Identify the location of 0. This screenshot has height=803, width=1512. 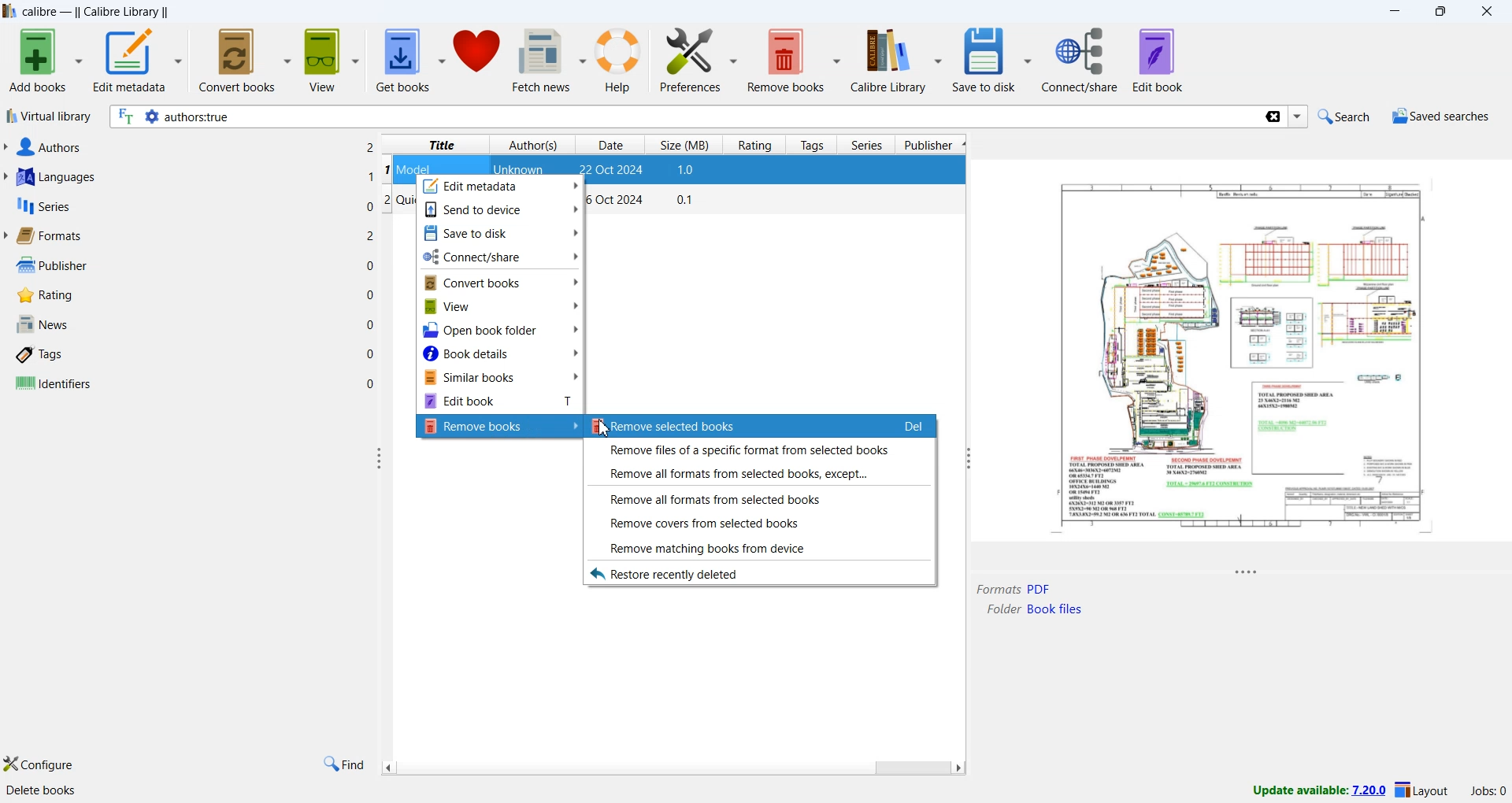
(372, 324).